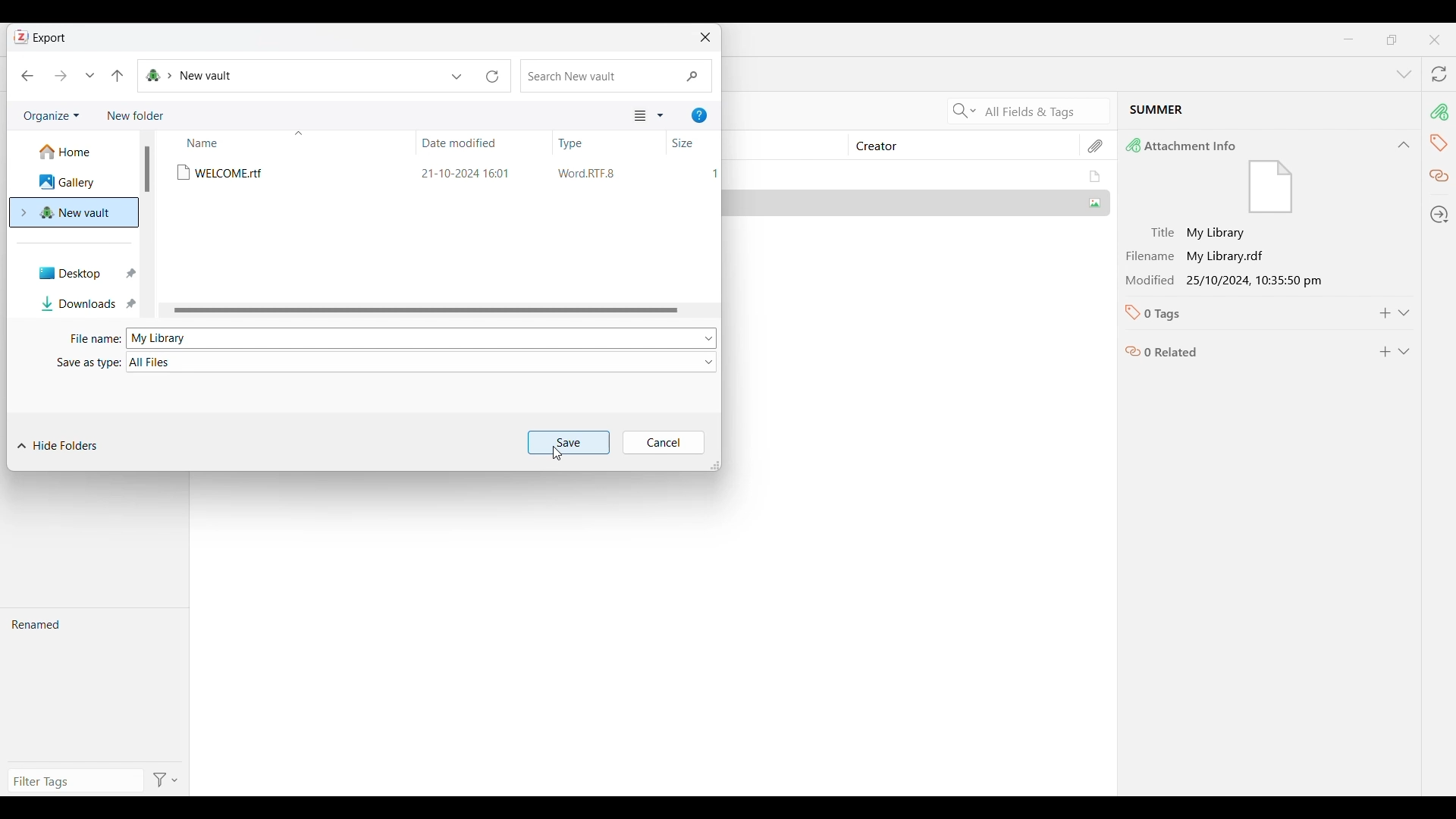 This screenshot has height=819, width=1456. What do you see at coordinates (1250, 176) in the screenshot?
I see `Attachment Info` at bounding box center [1250, 176].